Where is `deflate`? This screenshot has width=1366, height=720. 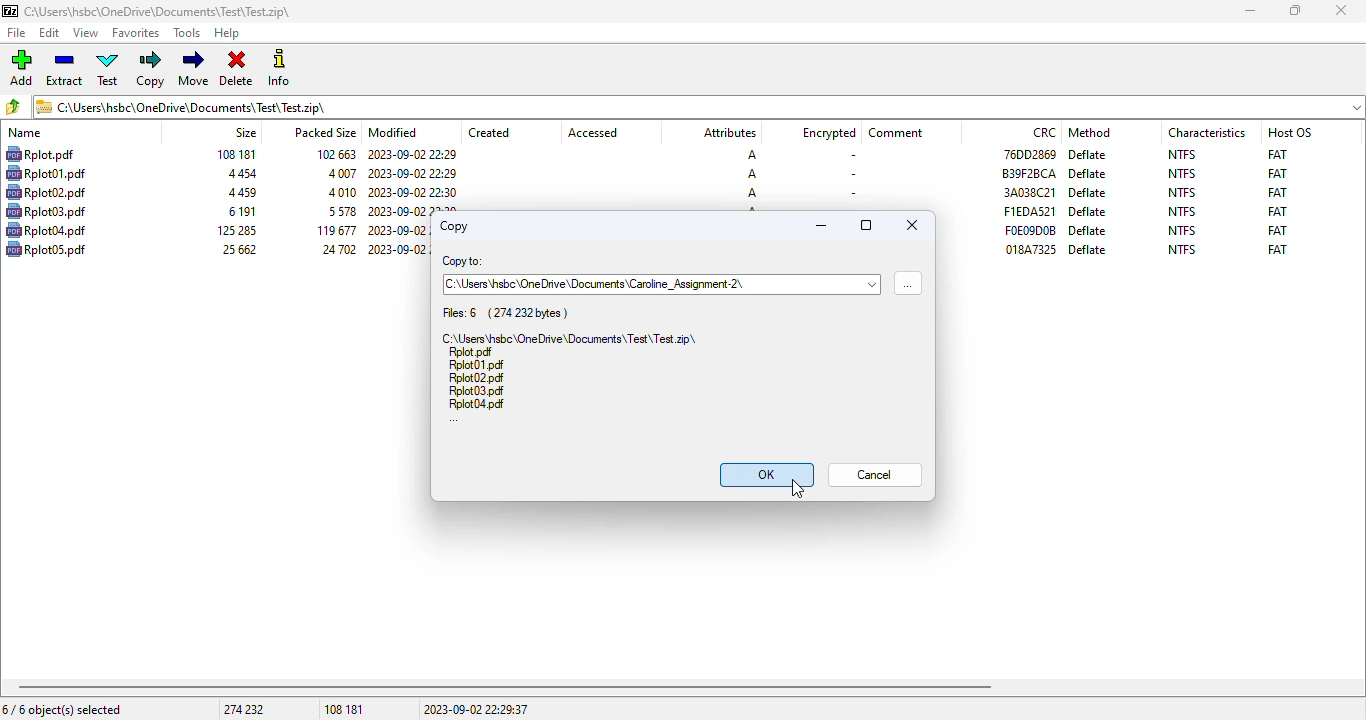 deflate is located at coordinates (1089, 230).